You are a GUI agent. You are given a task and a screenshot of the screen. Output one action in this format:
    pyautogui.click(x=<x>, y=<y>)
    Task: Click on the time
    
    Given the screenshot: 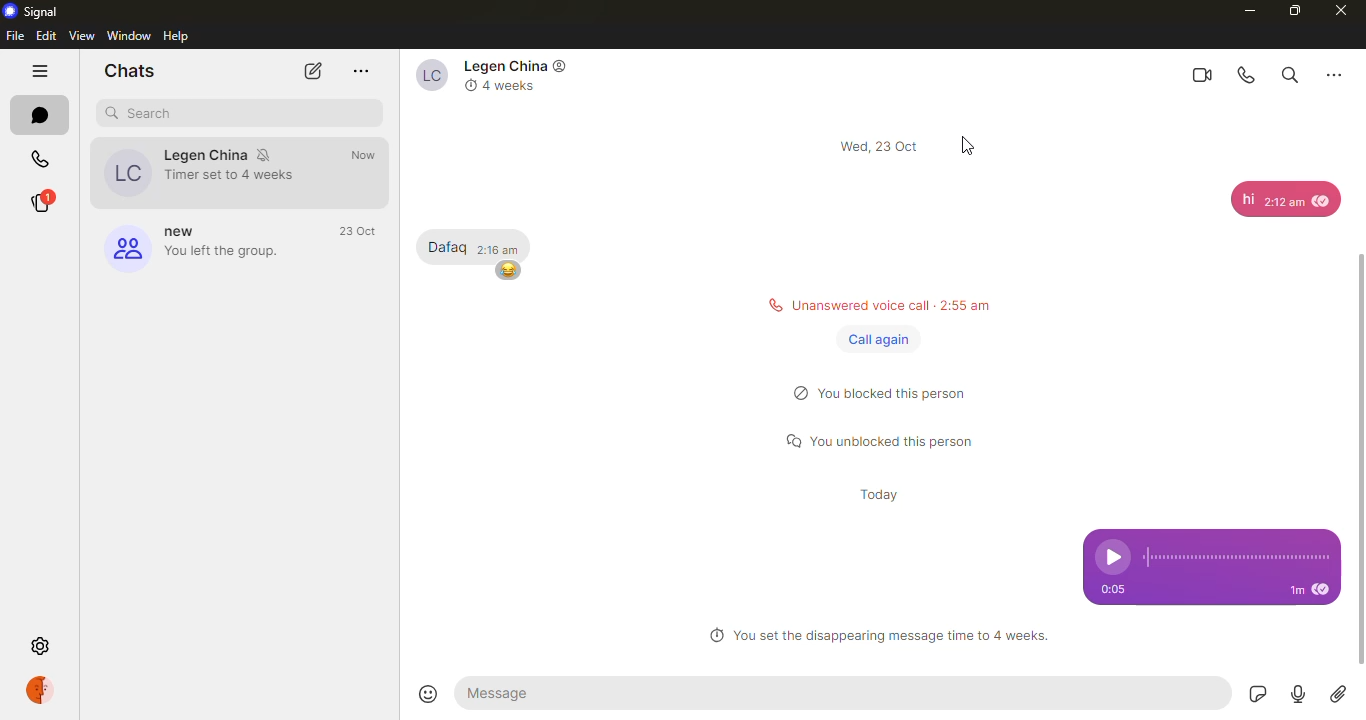 What is the action you would take?
    pyautogui.click(x=371, y=156)
    